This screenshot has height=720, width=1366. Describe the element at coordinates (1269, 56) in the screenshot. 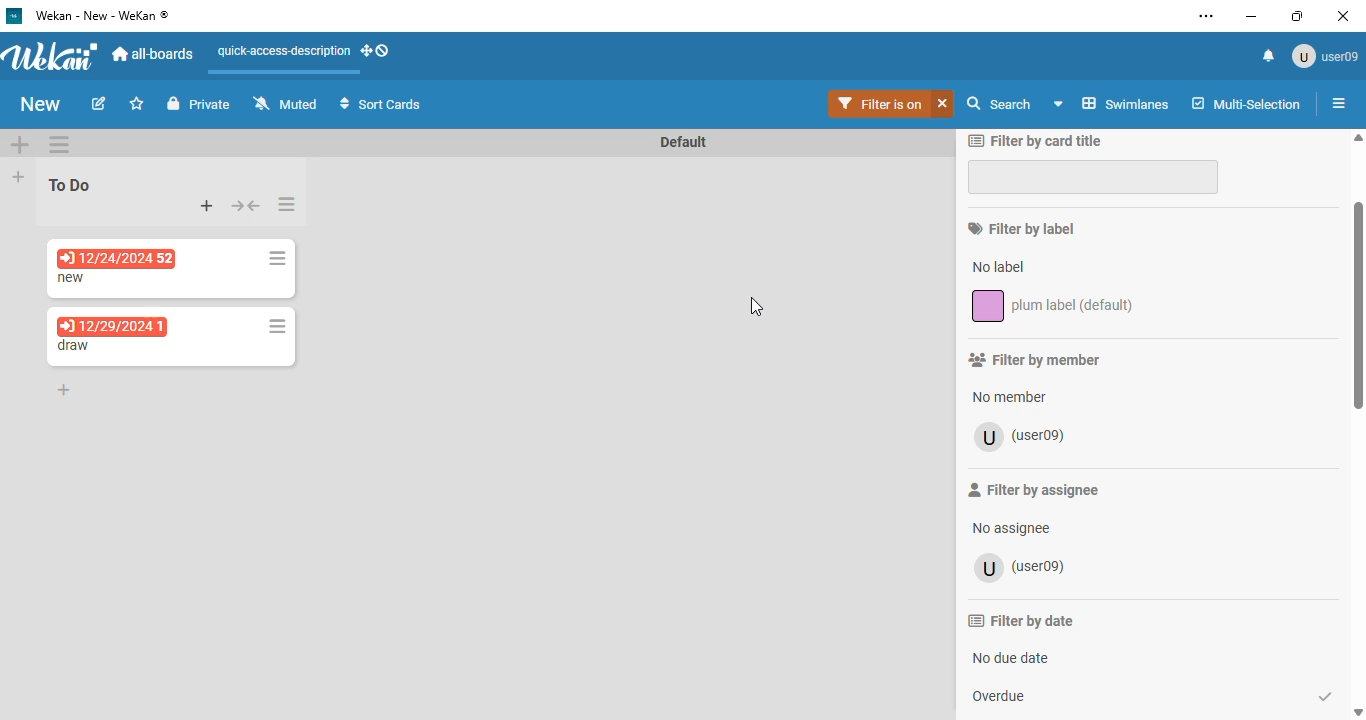

I see `notifications` at that location.